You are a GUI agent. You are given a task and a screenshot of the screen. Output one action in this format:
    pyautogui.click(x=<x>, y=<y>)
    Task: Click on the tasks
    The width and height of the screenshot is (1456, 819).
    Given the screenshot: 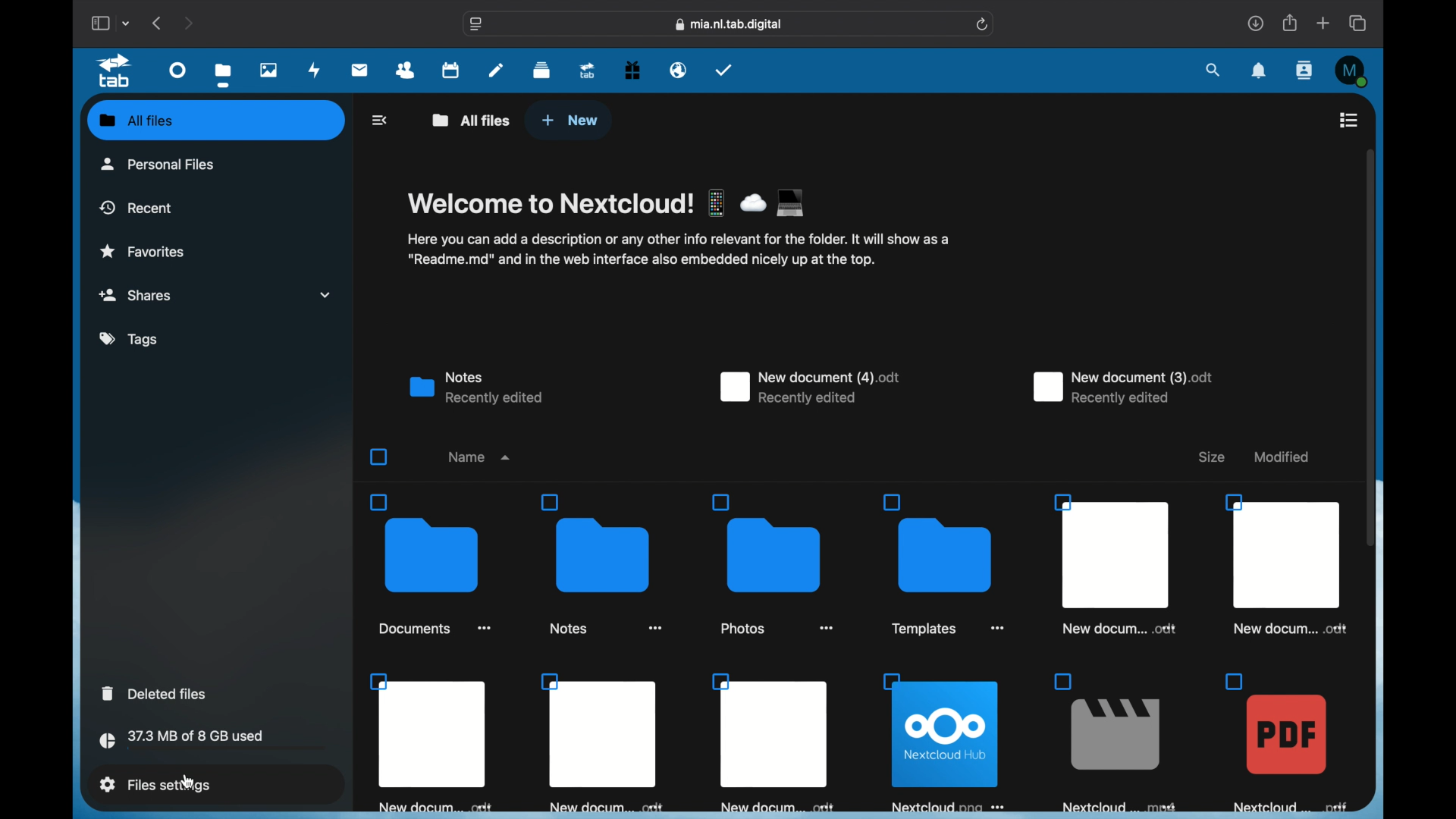 What is the action you would take?
    pyautogui.click(x=723, y=70)
    